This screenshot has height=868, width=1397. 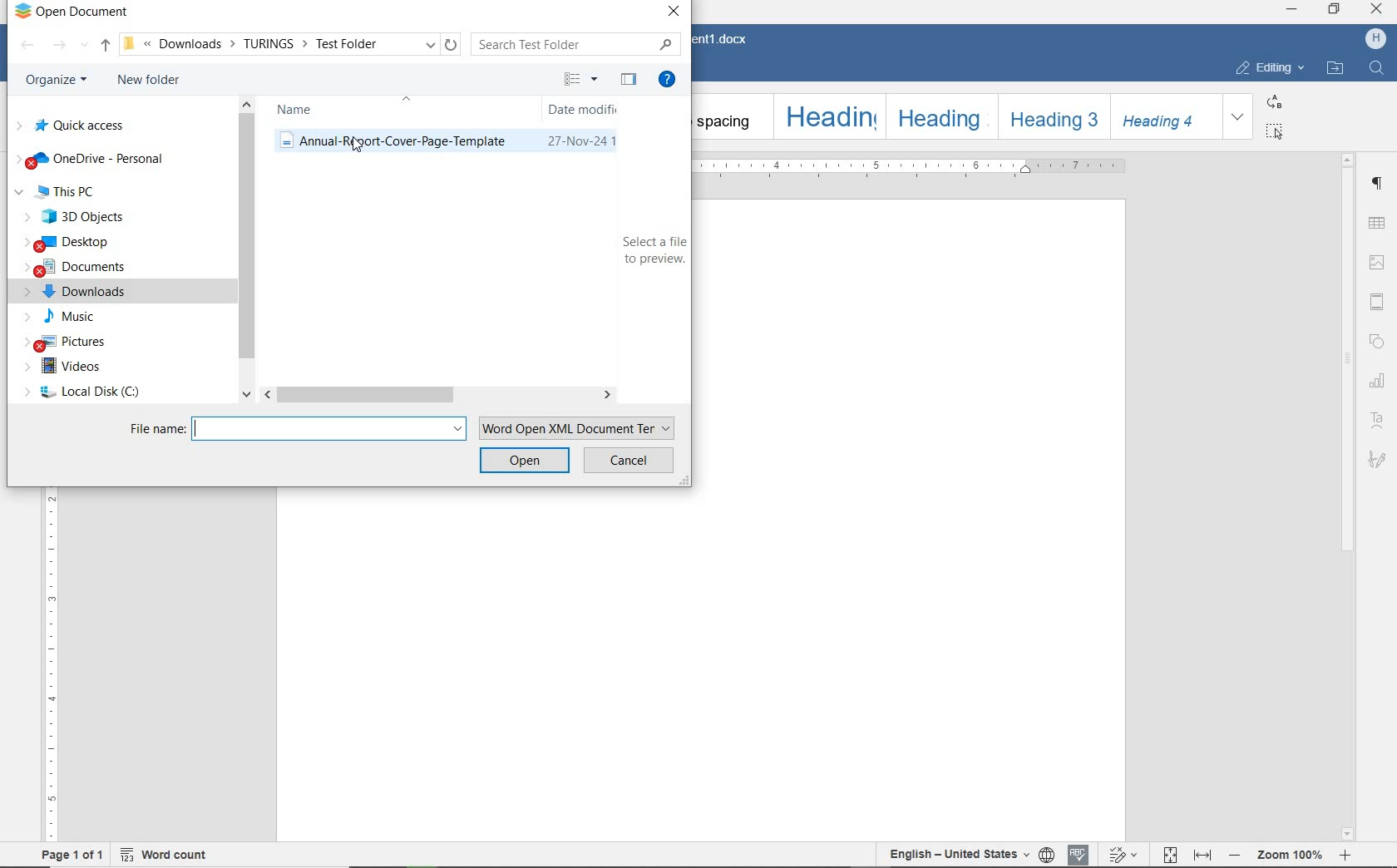 I want to click on SCROLLBAR, so click(x=244, y=253).